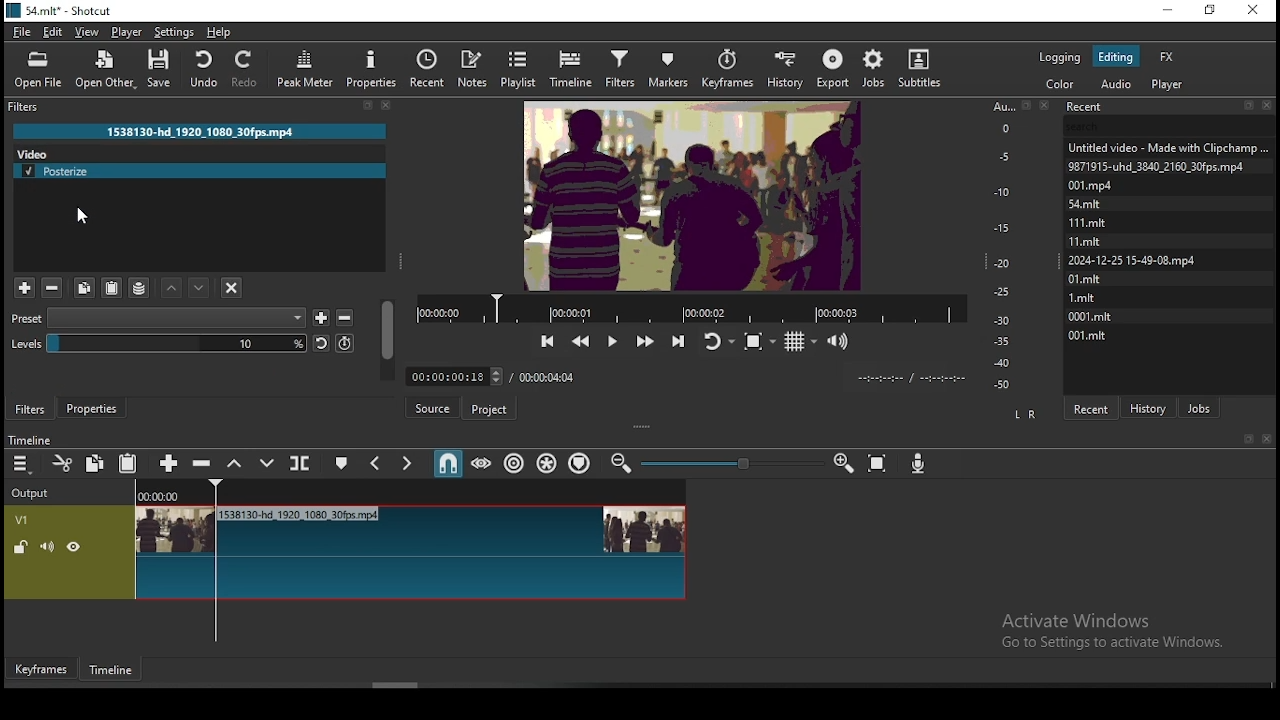 The width and height of the screenshot is (1280, 720). Describe the element at coordinates (574, 68) in the screenshot. I see `timeline` at that location.